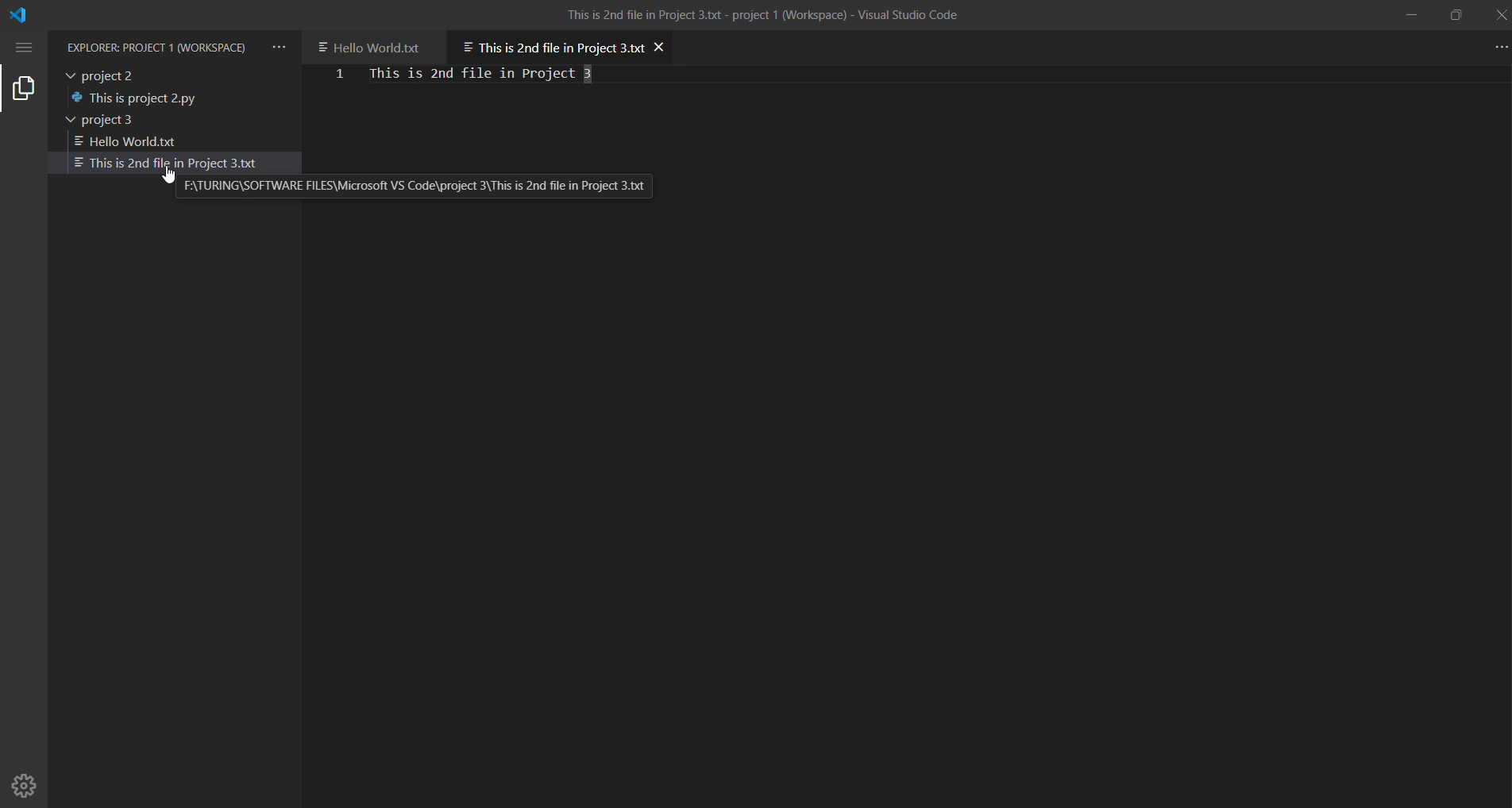 The height and width of the screenshot is (808, 1512). What do you see at coordinates (26, 779) in the screenshot?
I see `Manage` at bounding box center [26, 779].